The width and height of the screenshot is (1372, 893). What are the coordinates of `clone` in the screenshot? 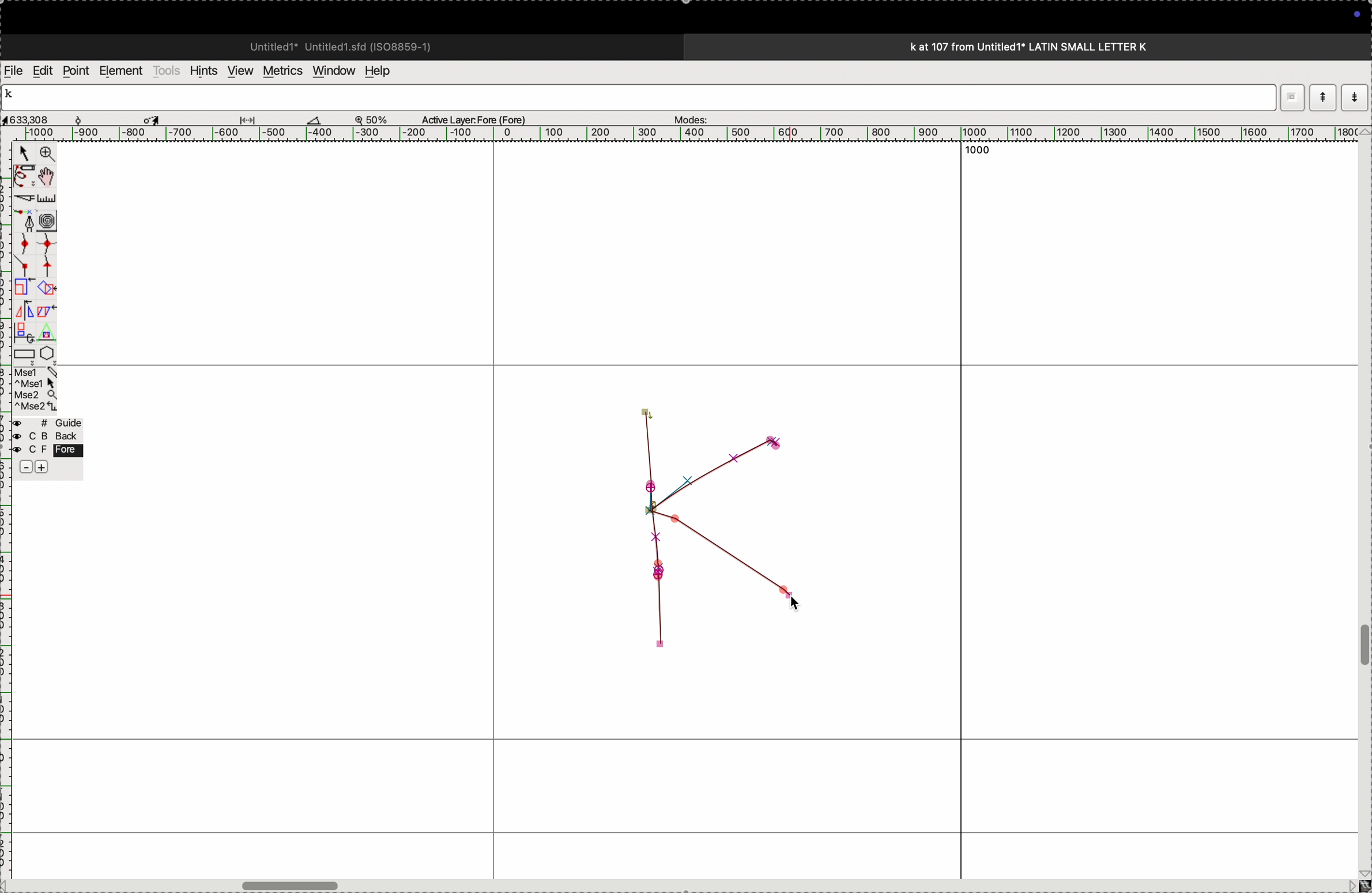 It's located at (22, 288).